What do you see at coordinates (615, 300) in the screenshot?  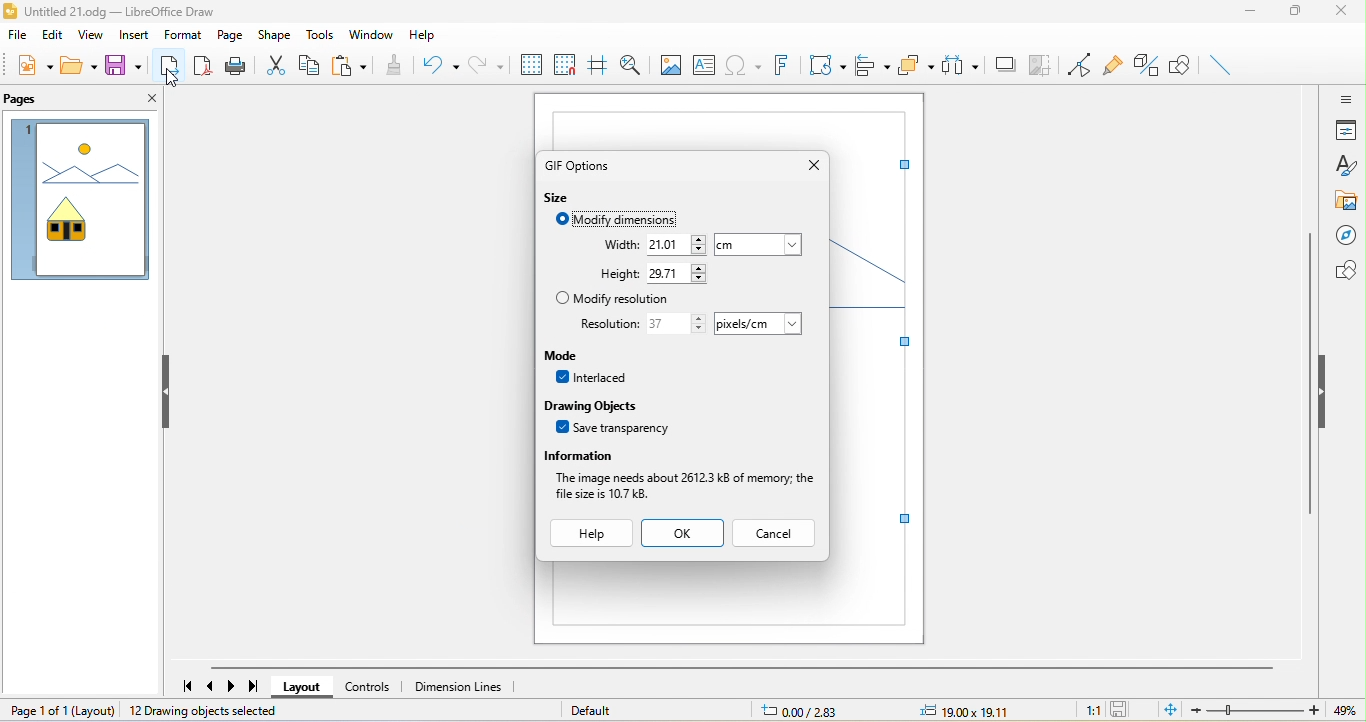 I see `modify resolution` at bounding box center [615, 300].